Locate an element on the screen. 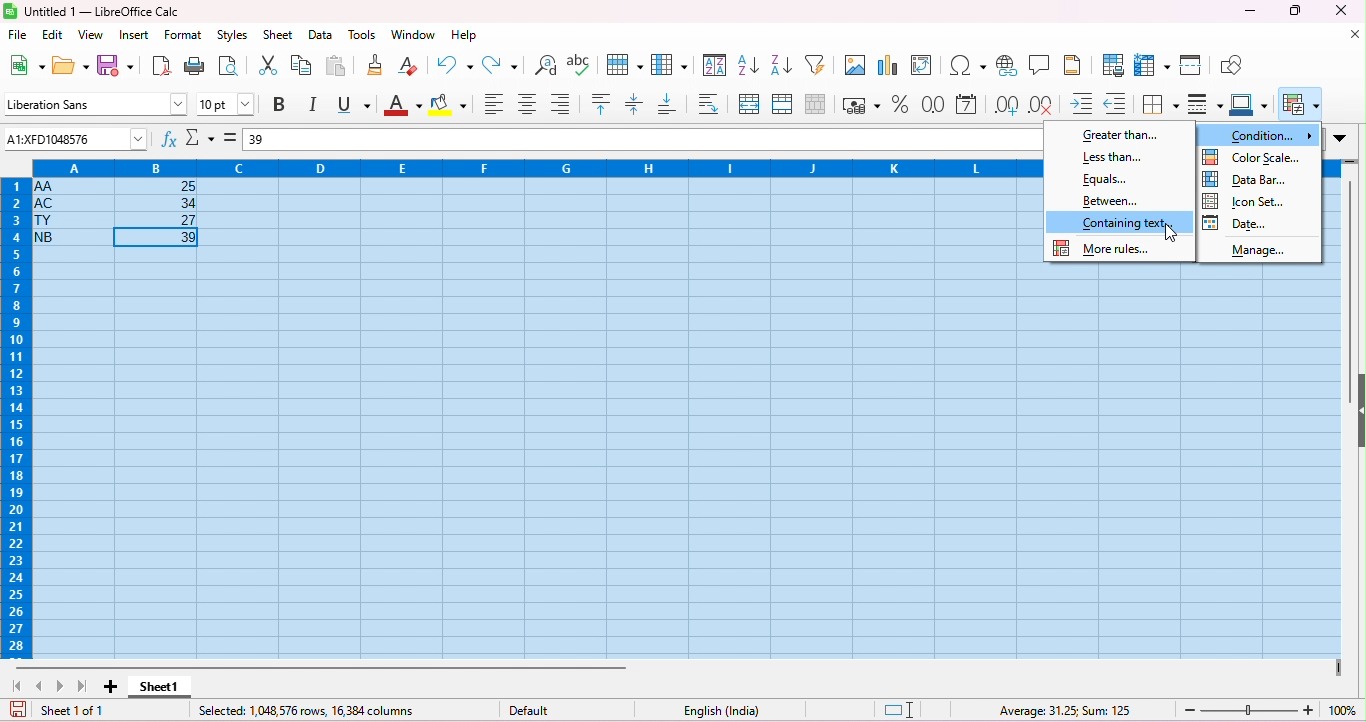  align bottom is located at coordinates (560, 103).